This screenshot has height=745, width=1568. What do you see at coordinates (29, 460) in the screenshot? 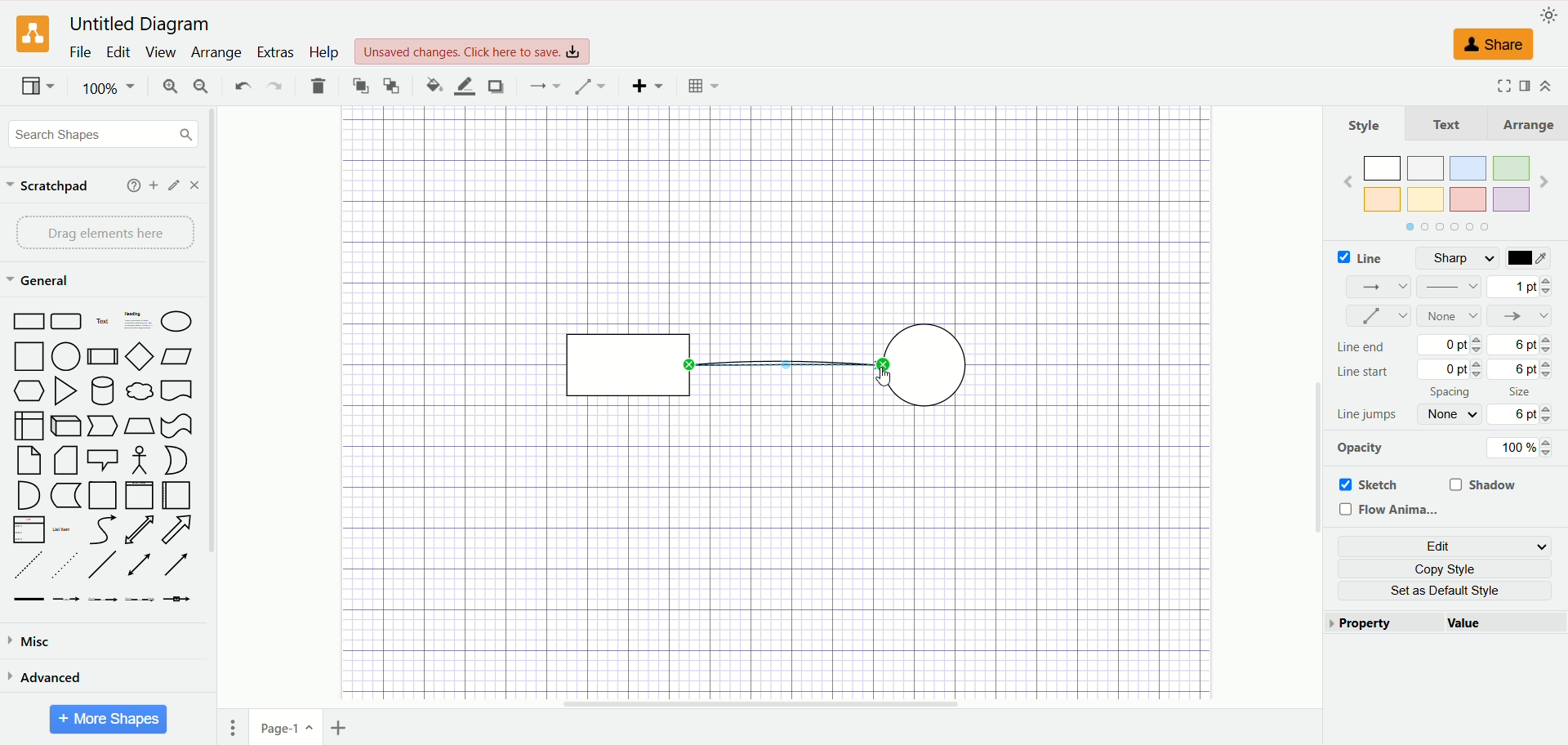
I see `Page` at bounding box center [29, 460].